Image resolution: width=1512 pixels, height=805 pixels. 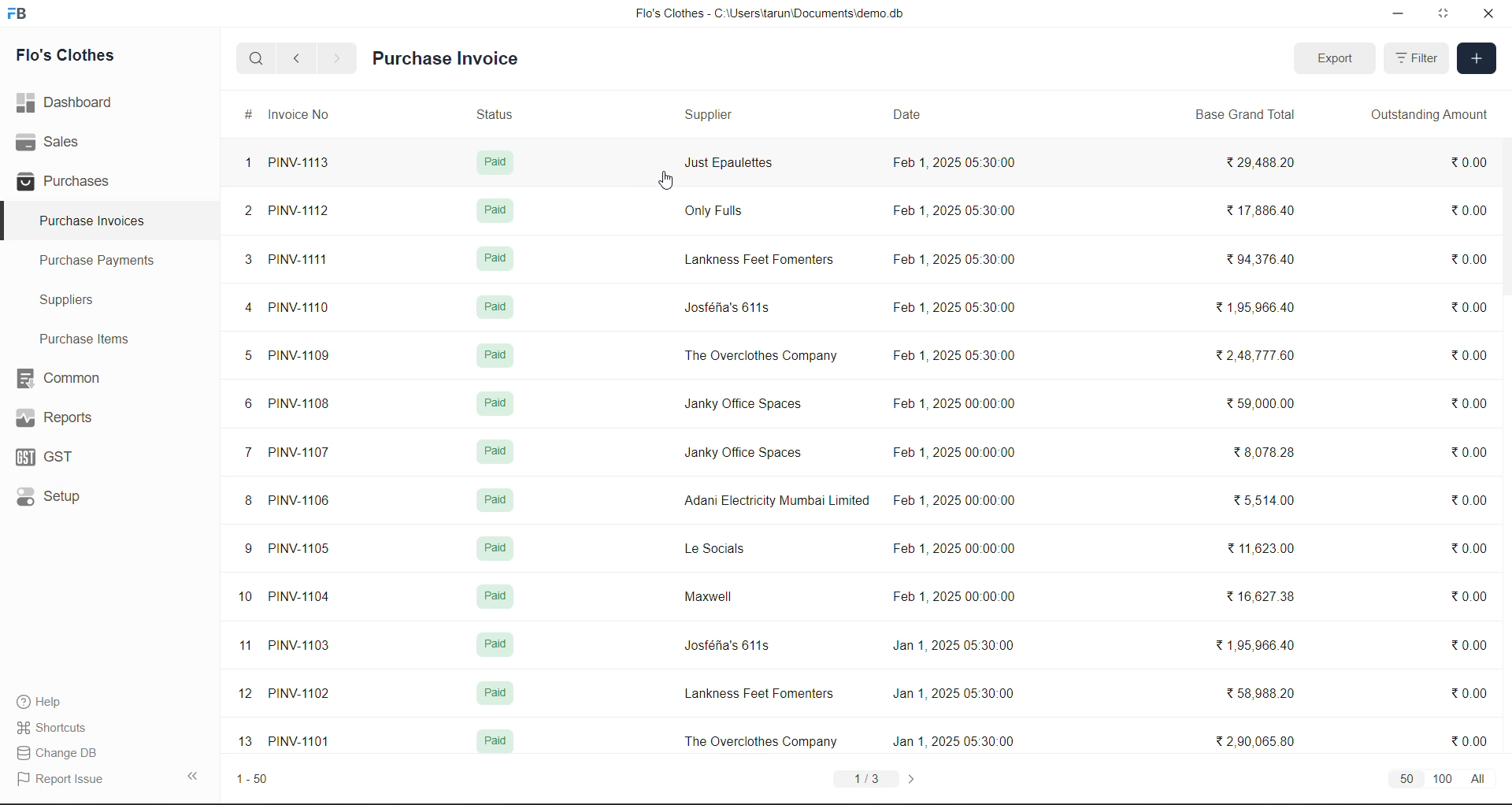 What do you see at coordinates (1464, 210) in the screenshot?
I see `₹0.00` at bounding box center [1464, 210].